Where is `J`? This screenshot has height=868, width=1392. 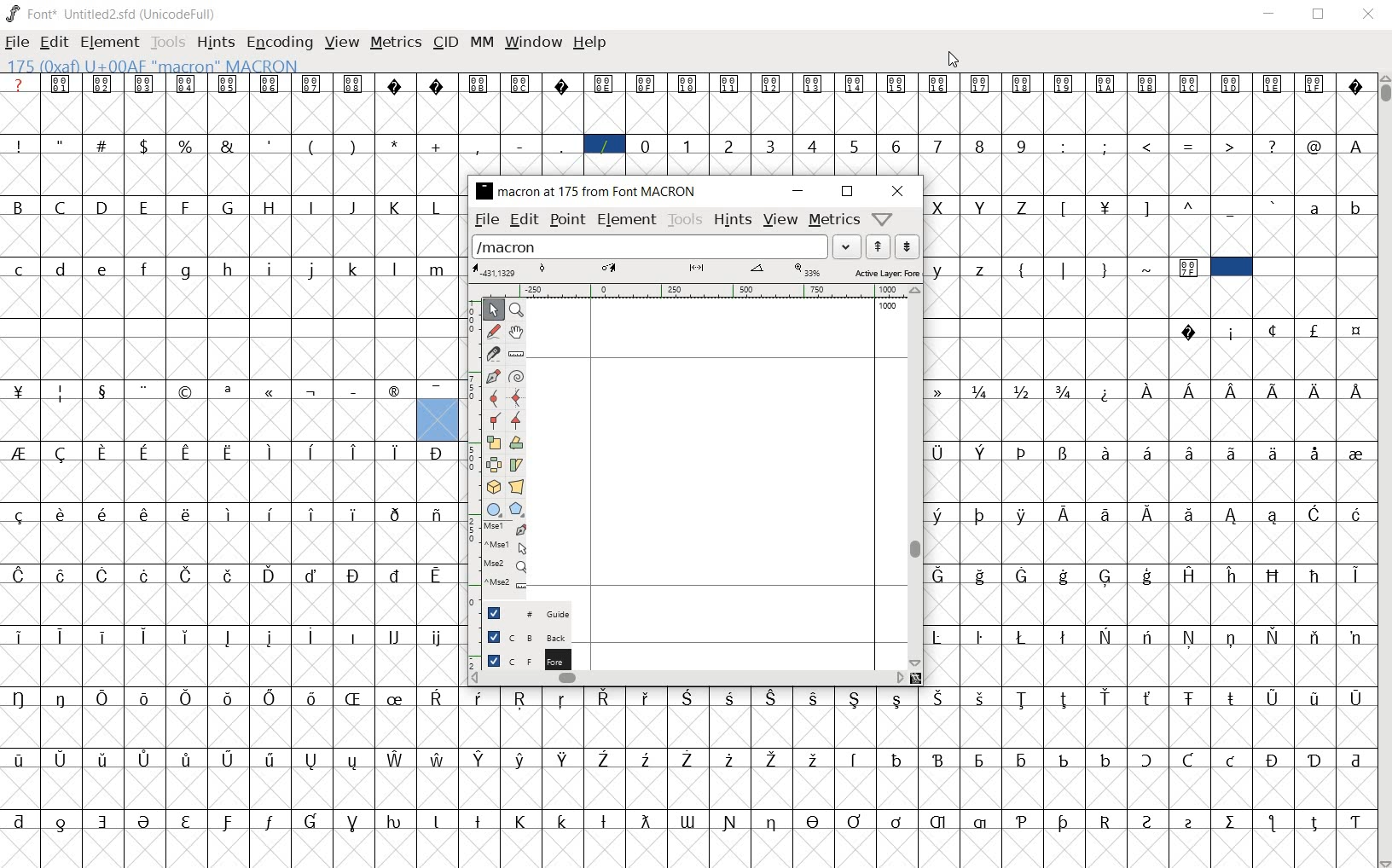
J is located at coordinates (354, 207).